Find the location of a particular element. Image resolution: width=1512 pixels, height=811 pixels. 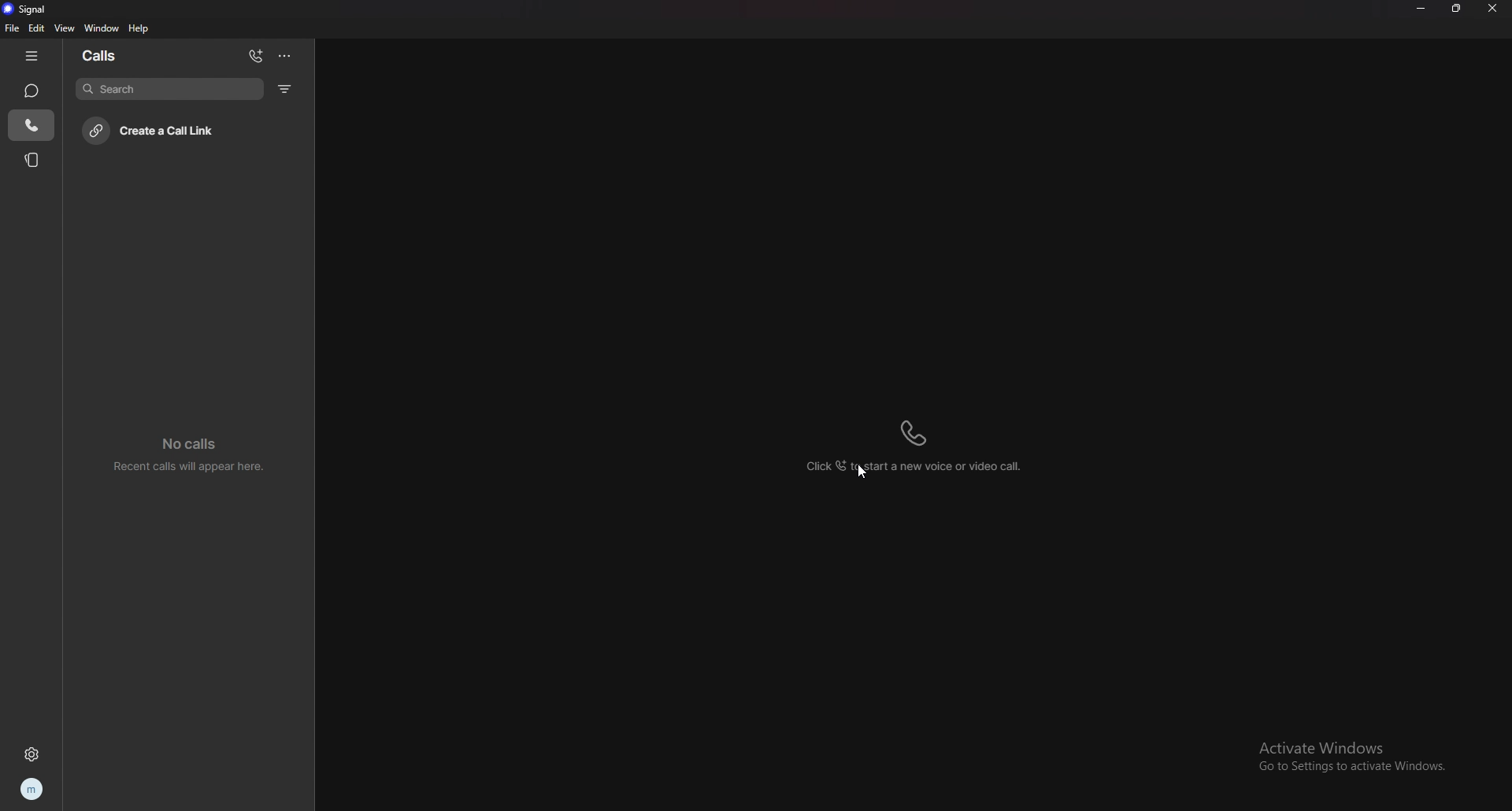

chat is located at coordinates (32, 91).